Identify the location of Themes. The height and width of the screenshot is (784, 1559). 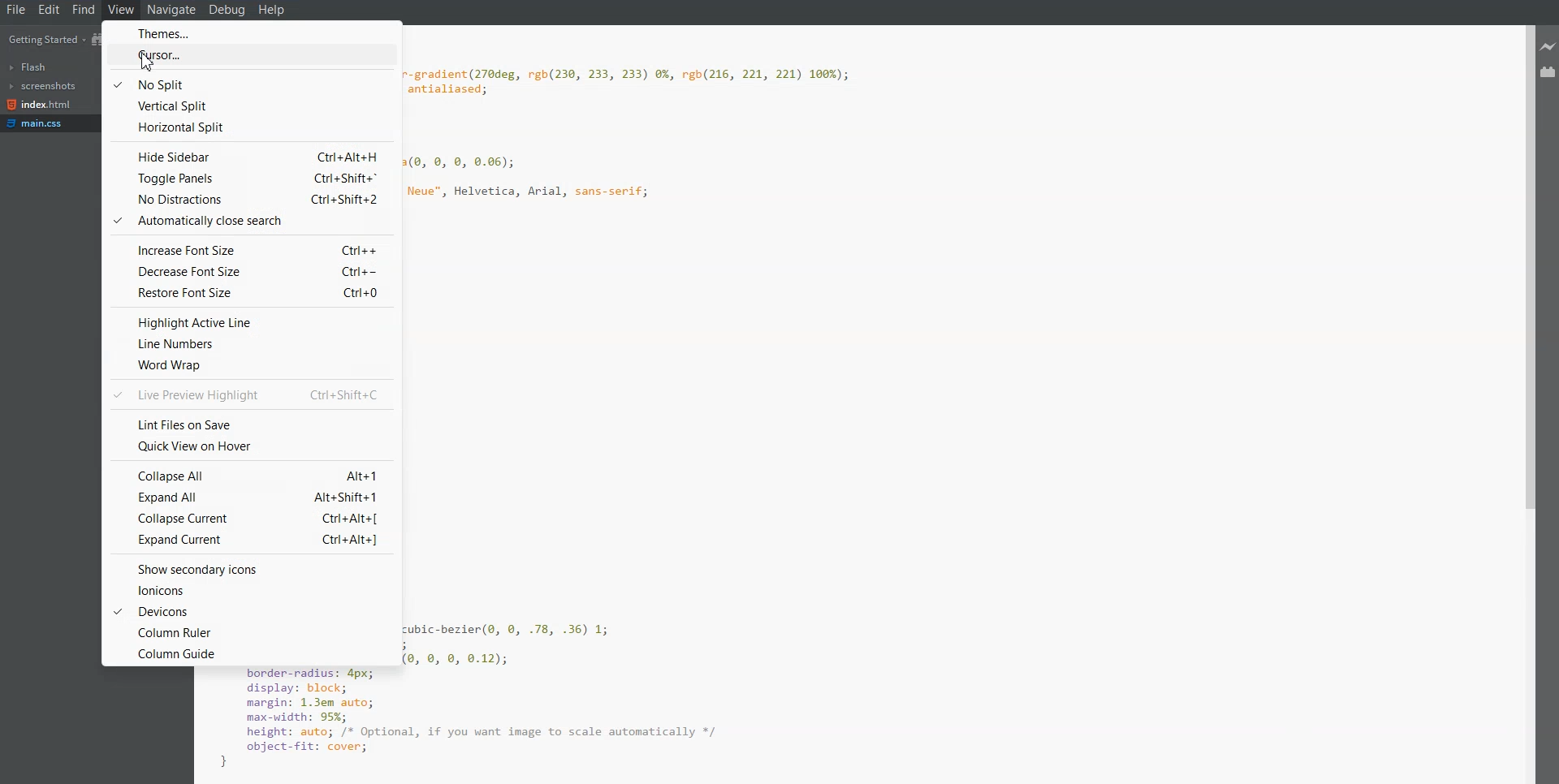
(247, 33).